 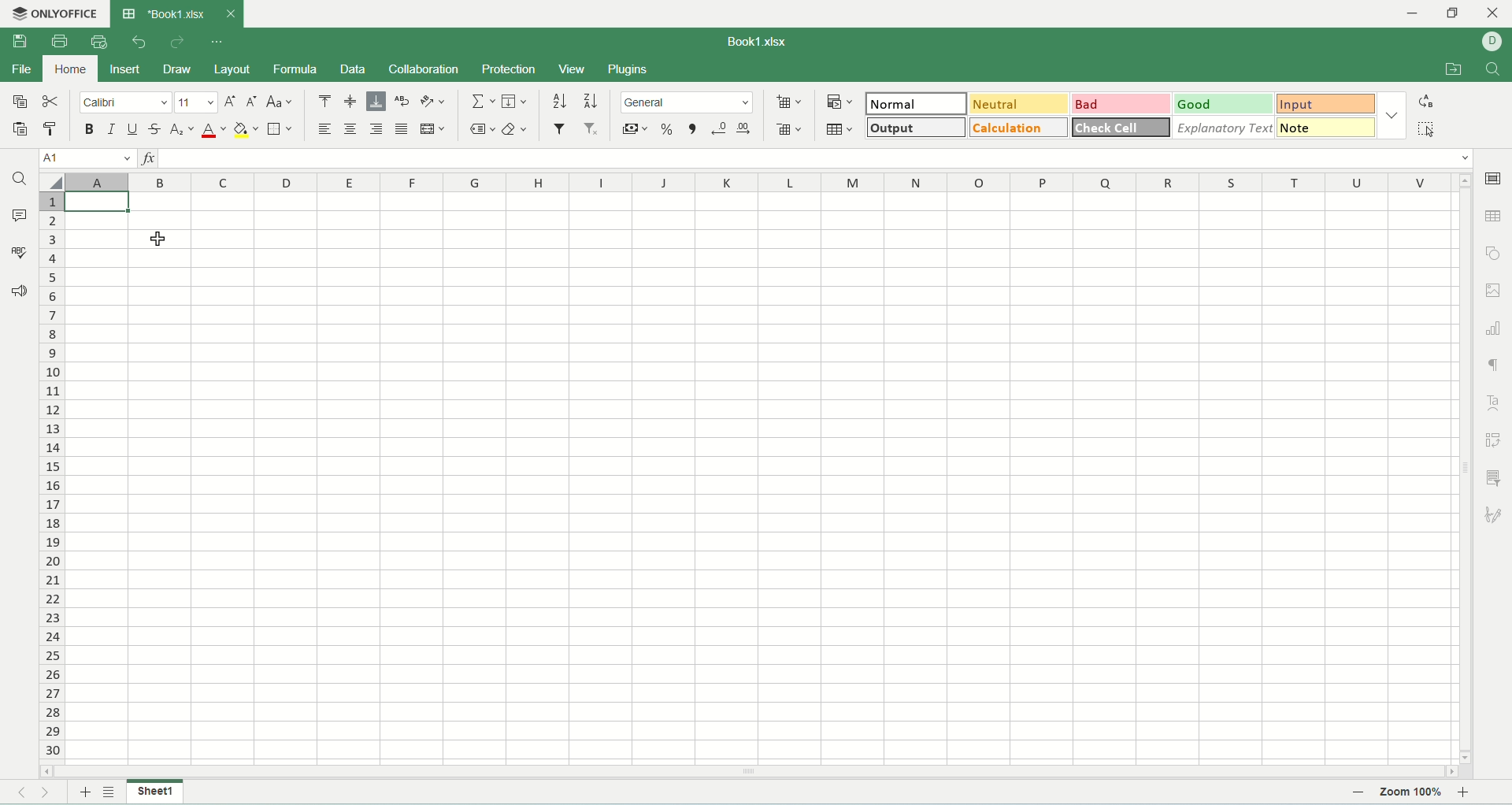 What do you see at coordinates (1494, 253) in the screenshot?
I see `object setting` at bounding box center [1494, 253].